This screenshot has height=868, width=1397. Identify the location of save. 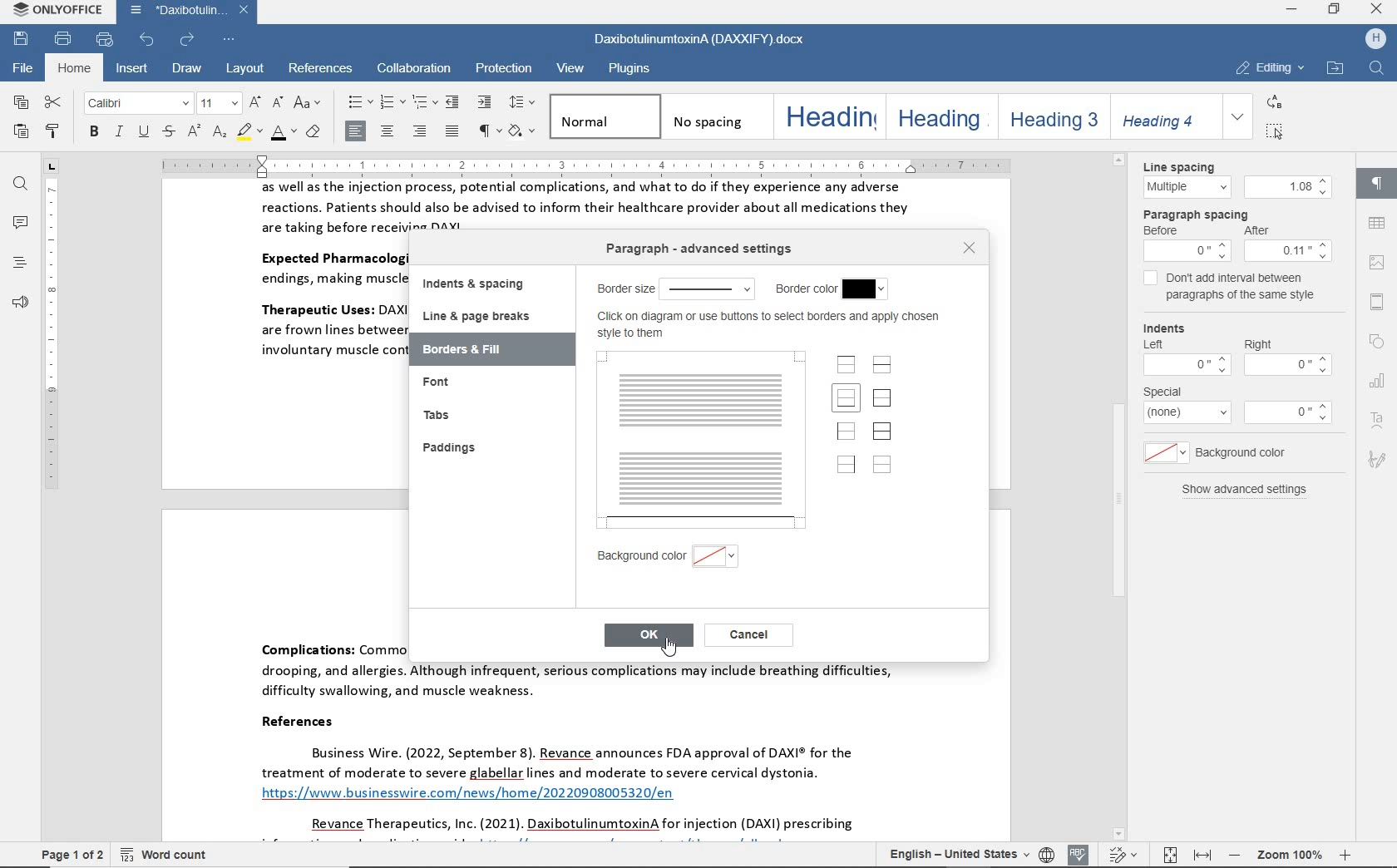
(22, 37).